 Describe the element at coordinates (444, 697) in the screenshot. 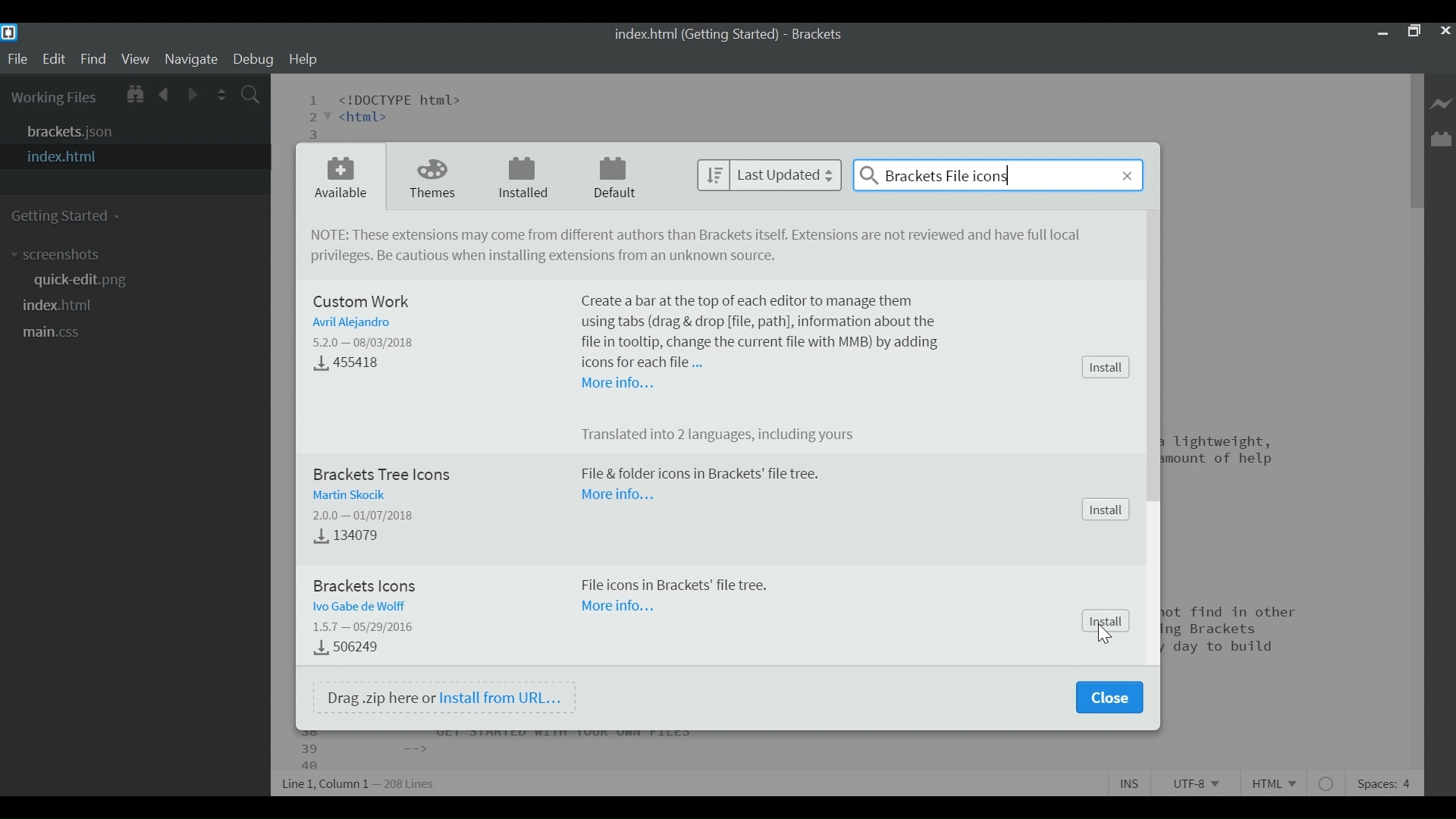

I see `Drag .zip here or Install from URL` at that location.